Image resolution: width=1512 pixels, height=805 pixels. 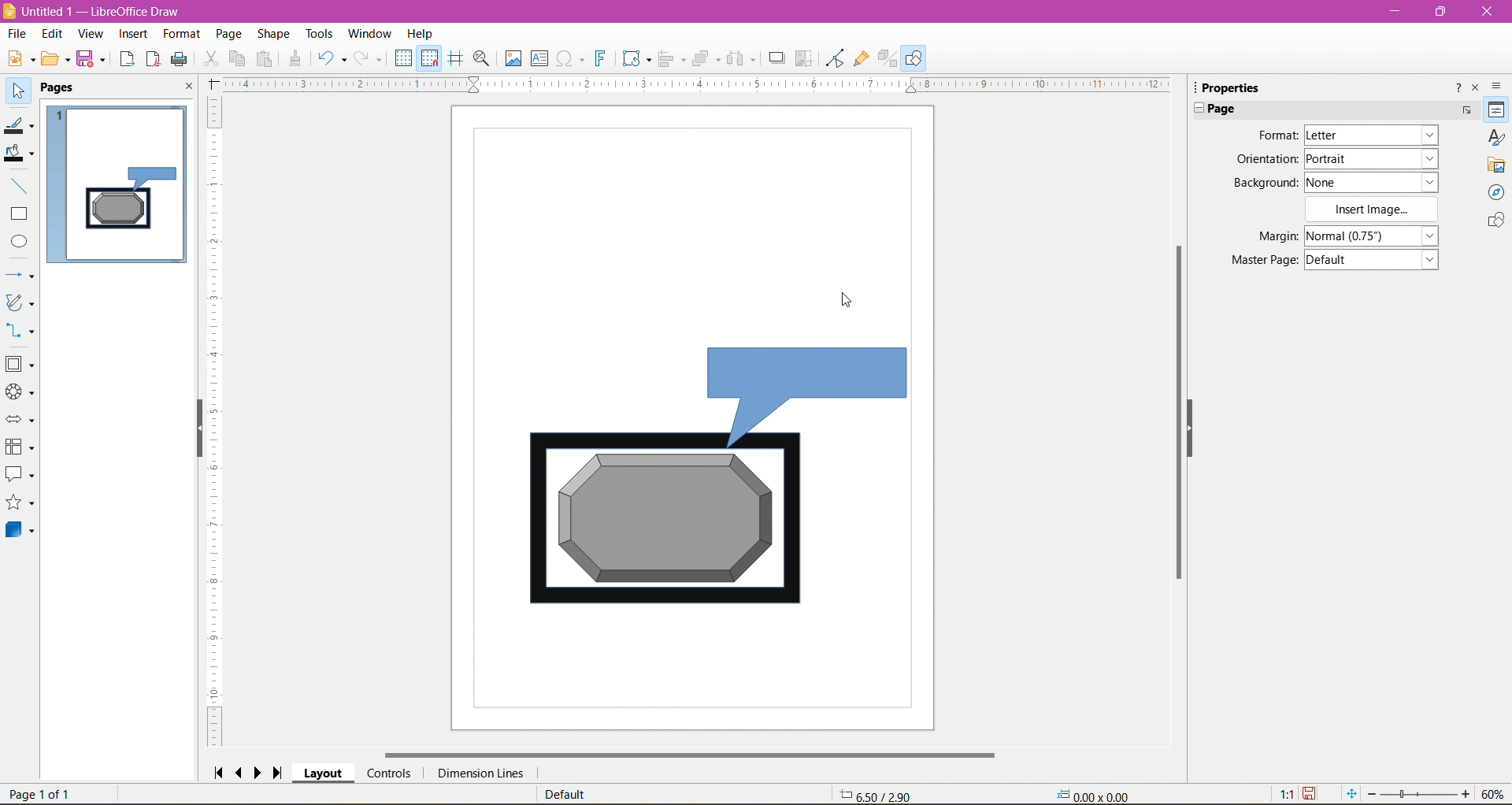 I want to click on Properties, so click(x=1495, y=110).